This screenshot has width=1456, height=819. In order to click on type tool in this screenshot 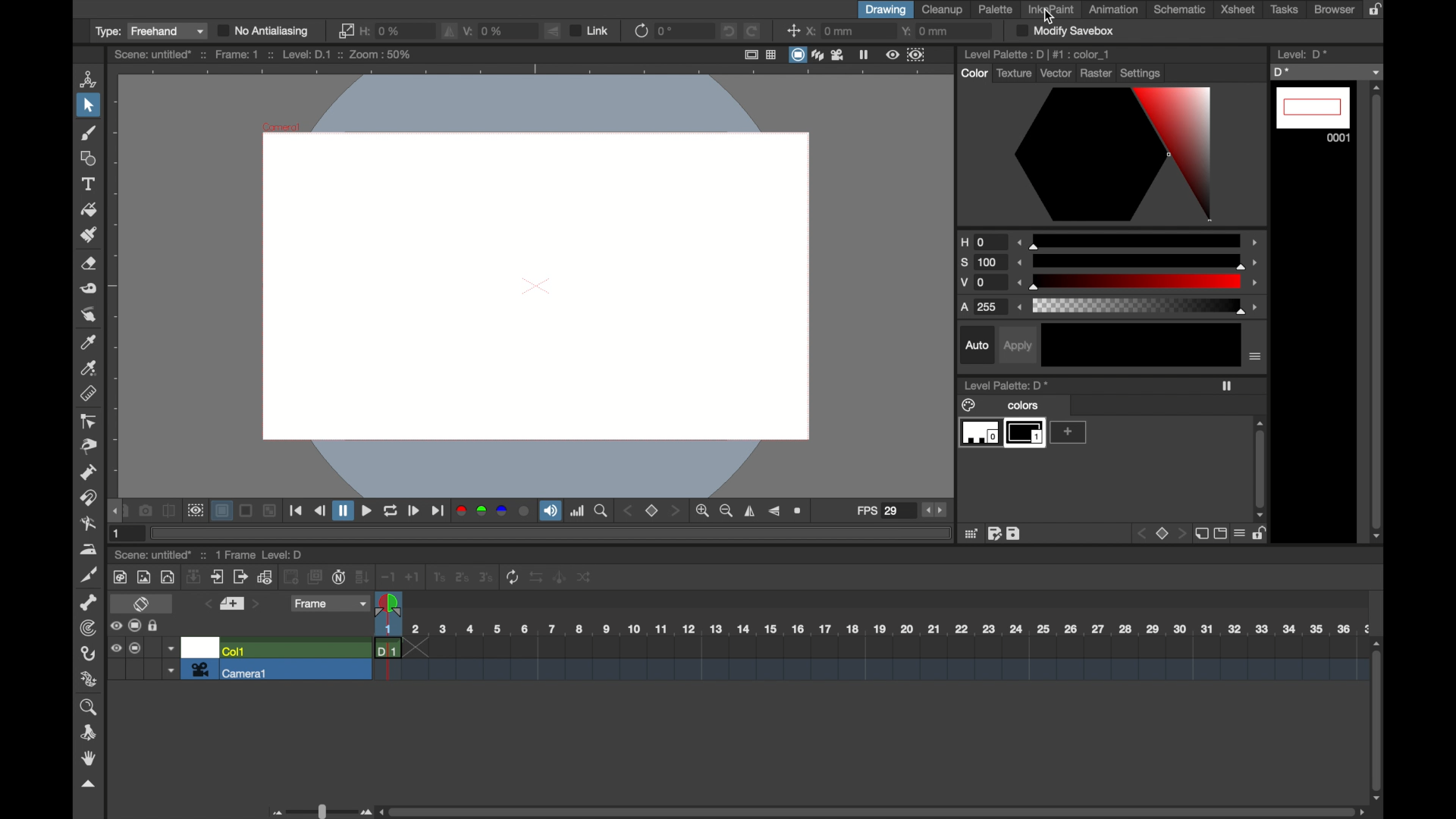, I will do `click(89, 184)`.